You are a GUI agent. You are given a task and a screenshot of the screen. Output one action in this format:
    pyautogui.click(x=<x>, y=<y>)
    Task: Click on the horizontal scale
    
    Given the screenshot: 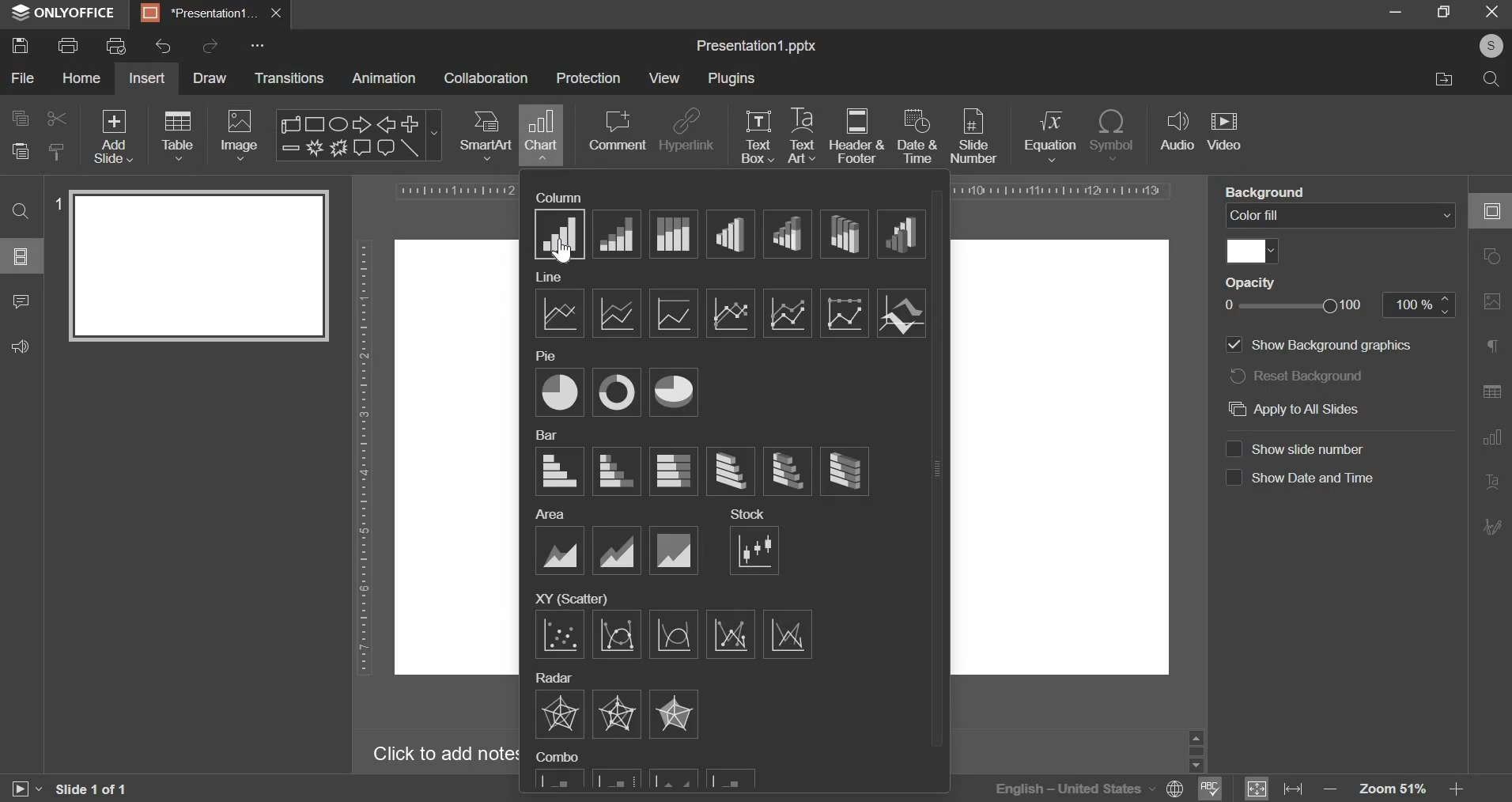 What is the action you would take?
    pyautogui.click(x=459, y=192)
    